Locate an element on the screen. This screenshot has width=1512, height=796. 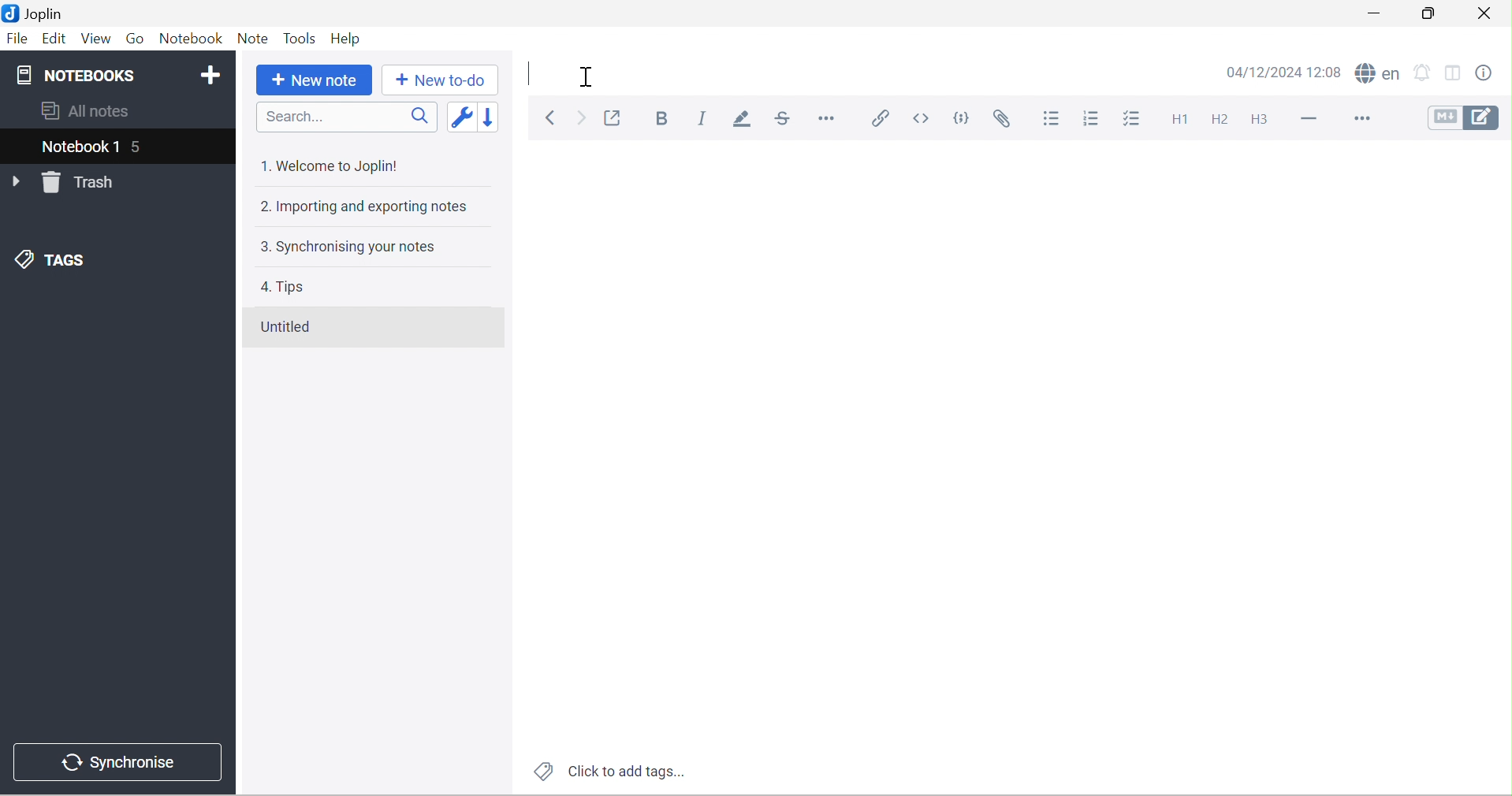
Insert / edit code is located at coordinates (882, 119).